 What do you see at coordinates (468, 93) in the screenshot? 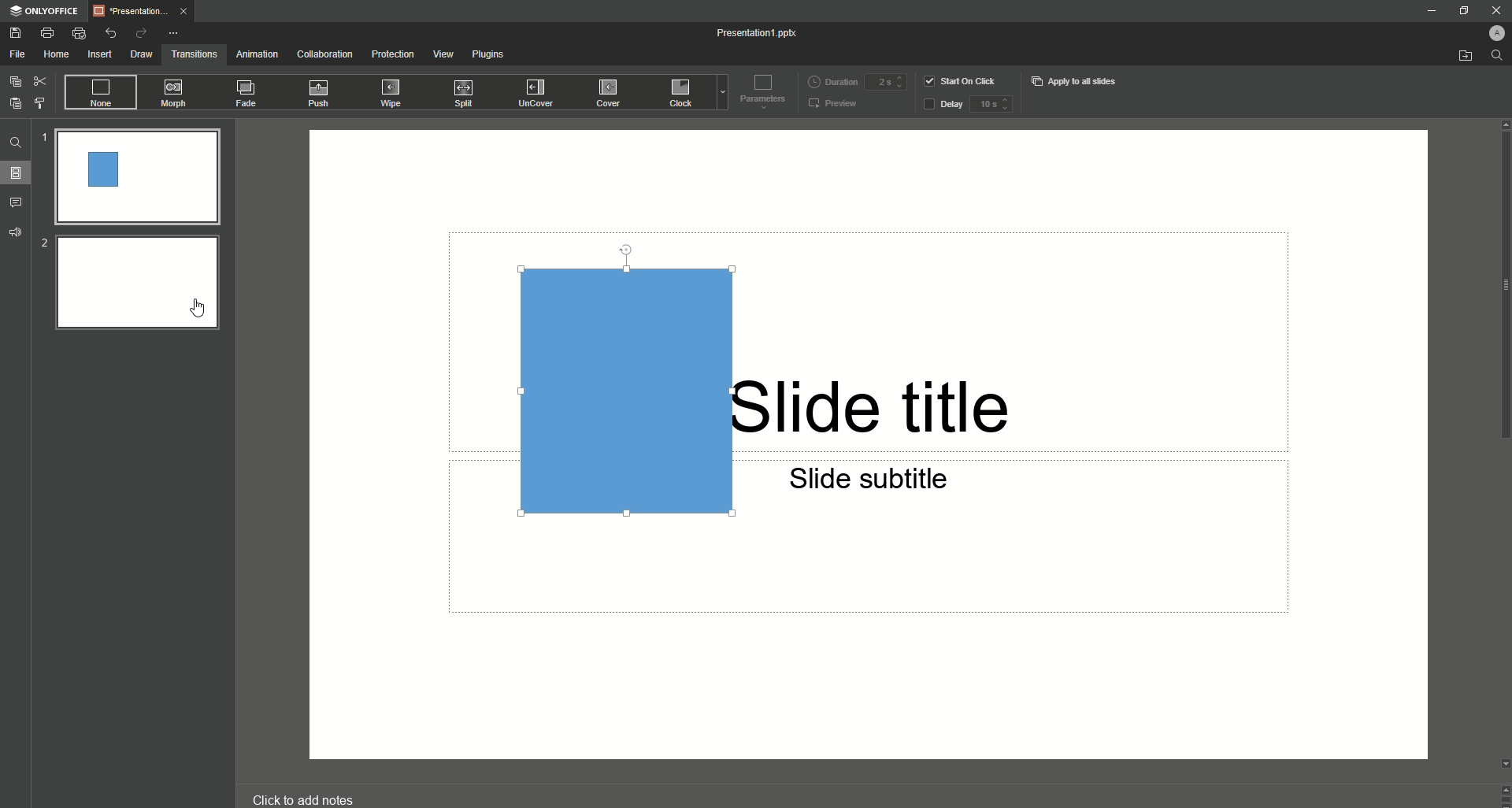
I see `Split` at bounding box center [468, 93].